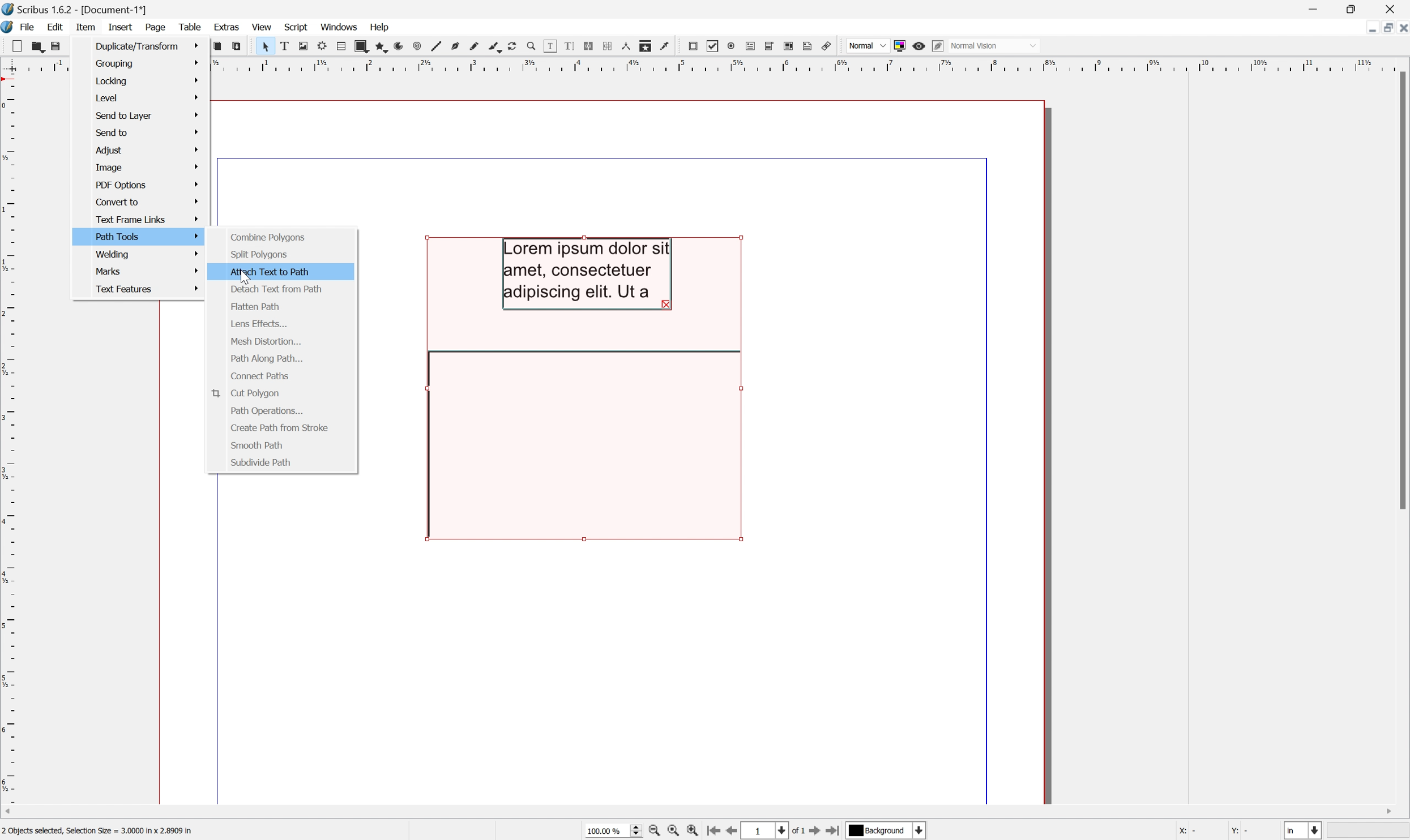  What do you see at coordinates (939, 45) in the screenshot?
I see `Edit in preview mode` at bounding box center [939, 45].